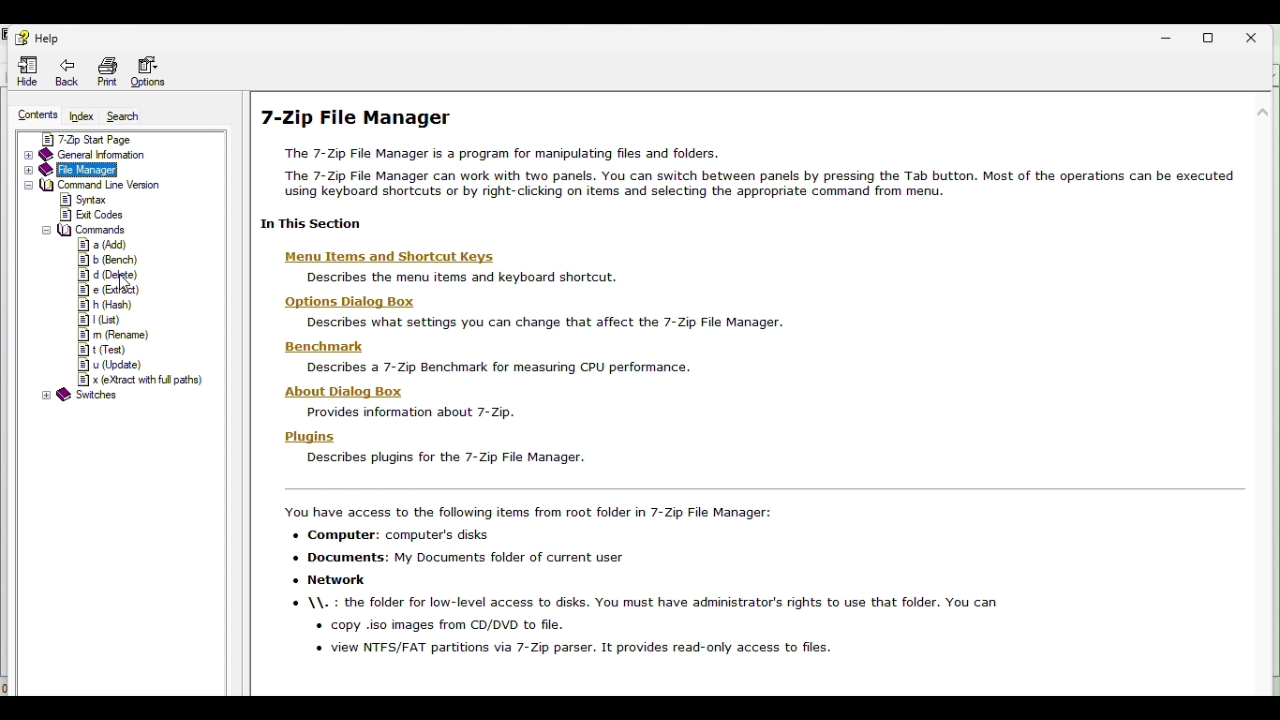 This screenshot has width=1280, height=720. What do you see at coordinates (128, 116) in the screenshot?
I see `Search` at bounding box center [128, 116].